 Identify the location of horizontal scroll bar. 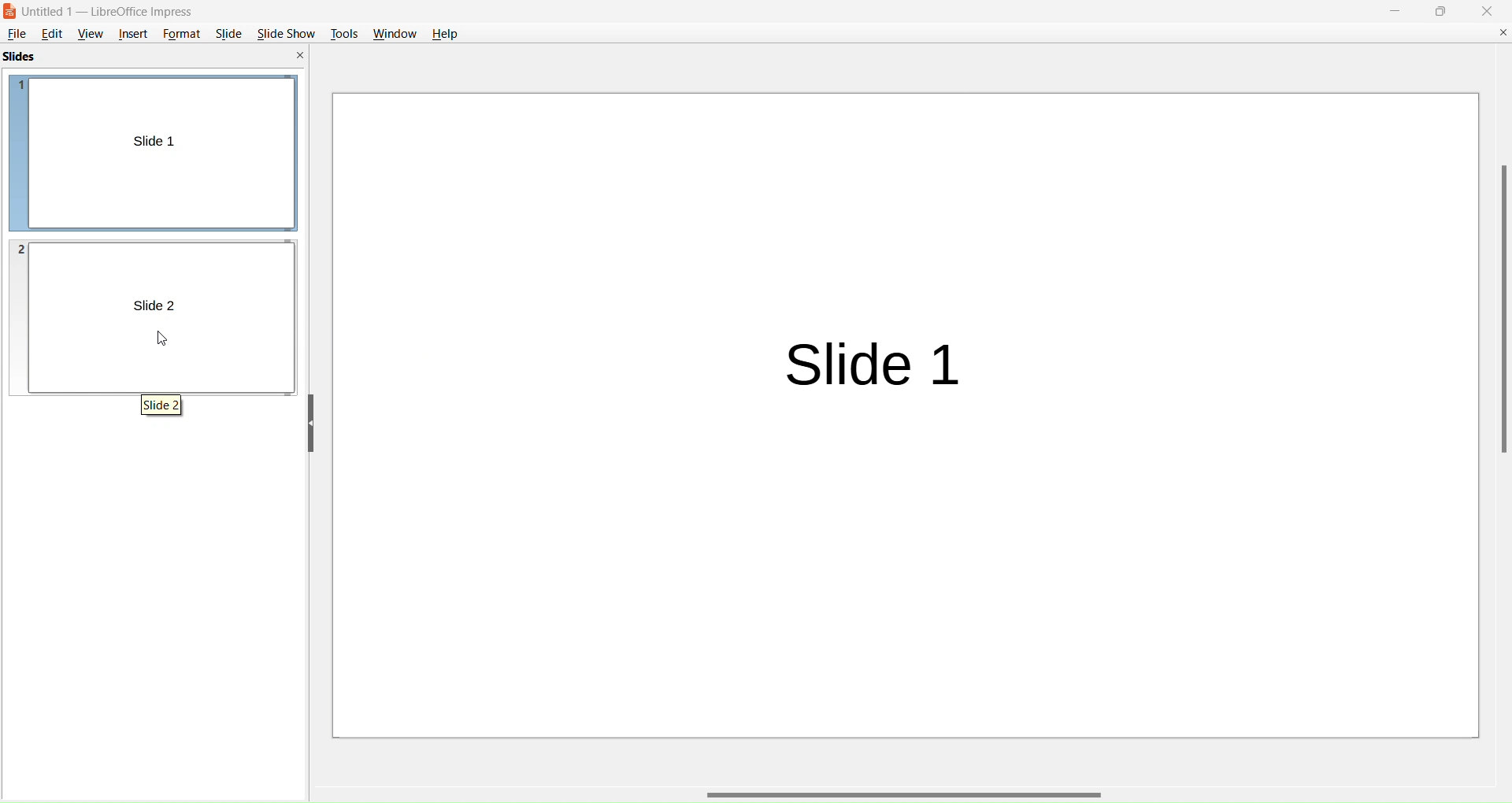
(910, 792).